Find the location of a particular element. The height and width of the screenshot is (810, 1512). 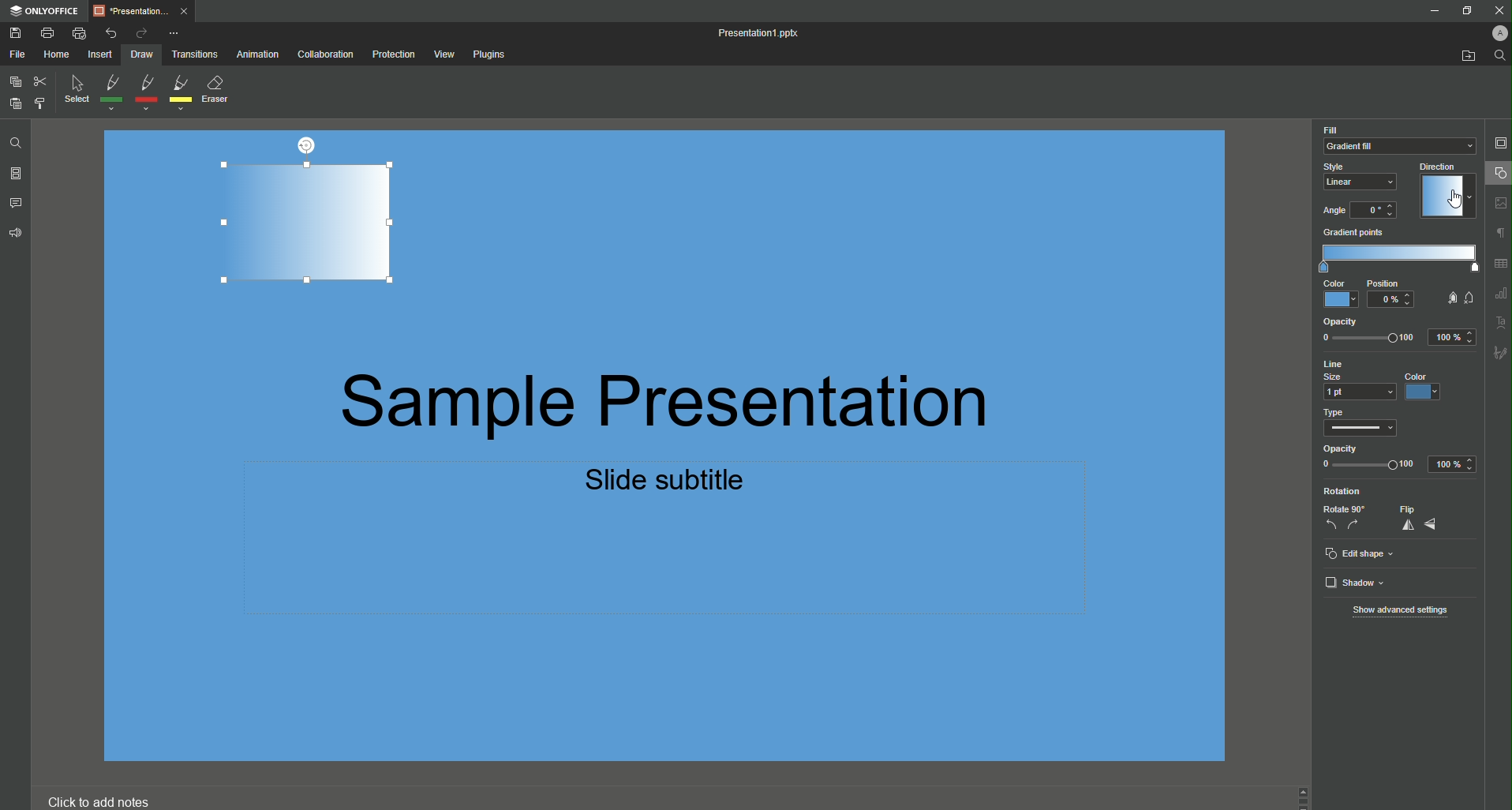

Choose Styling is located at coordinates (39, 103).